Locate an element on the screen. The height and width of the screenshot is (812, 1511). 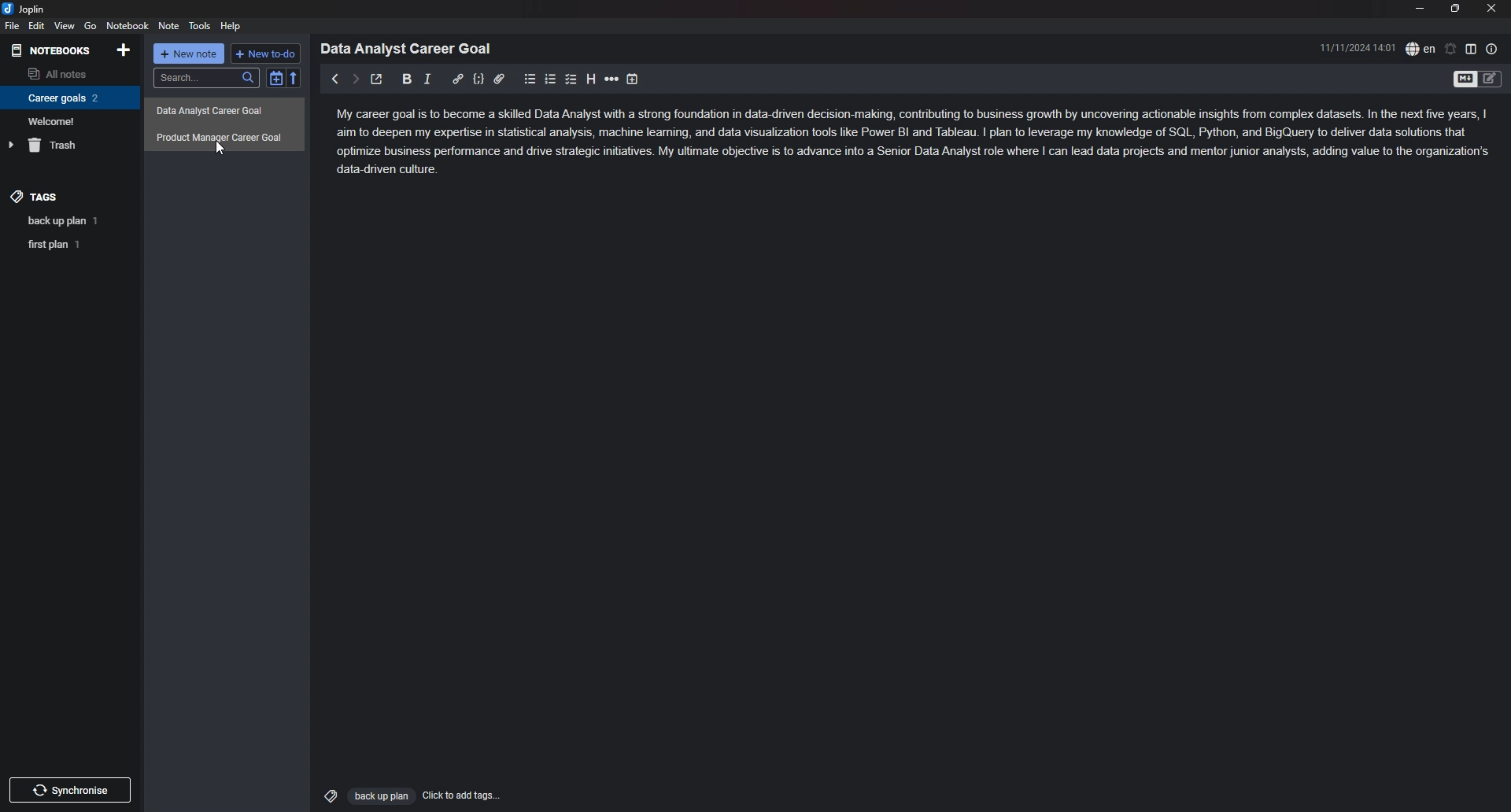
Back up plan is located at coordinates (380, 796).